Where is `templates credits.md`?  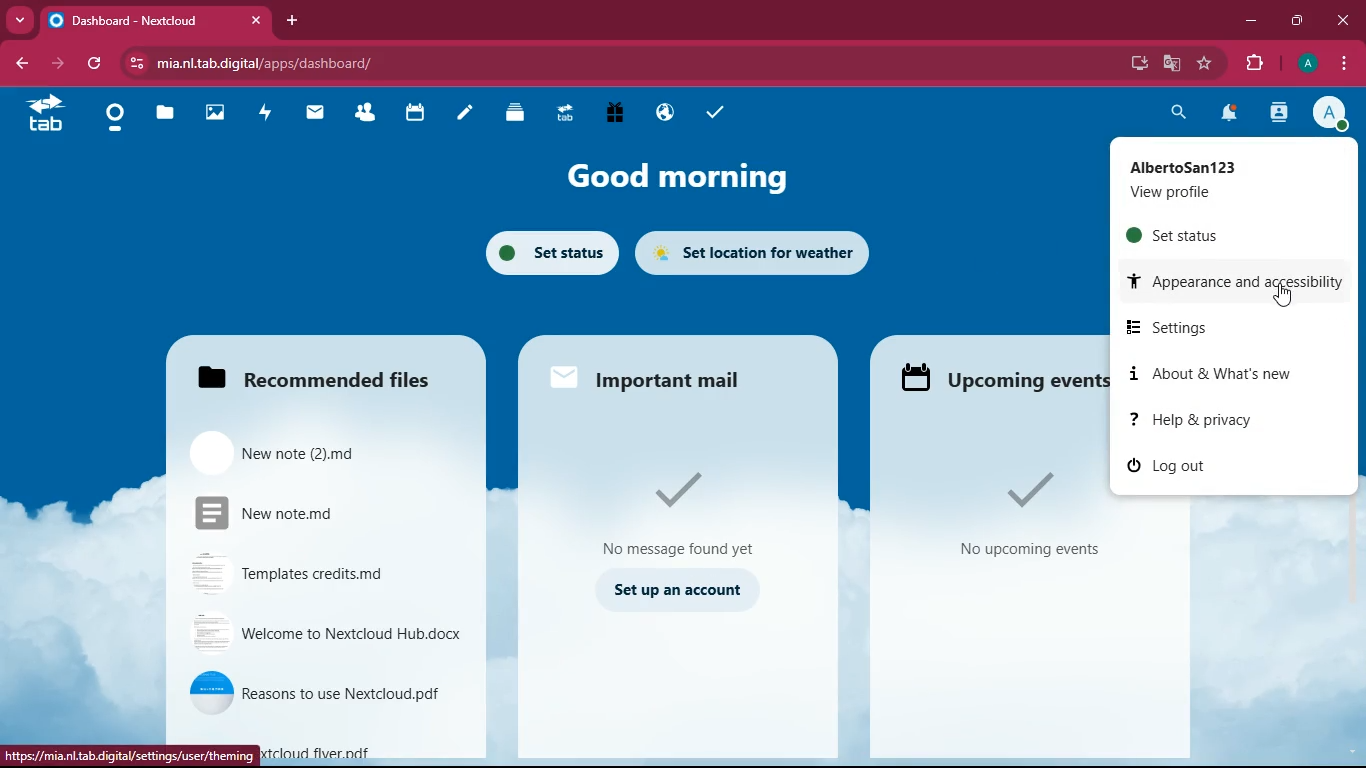
templates credits.md is located at coordinates (318, 576).